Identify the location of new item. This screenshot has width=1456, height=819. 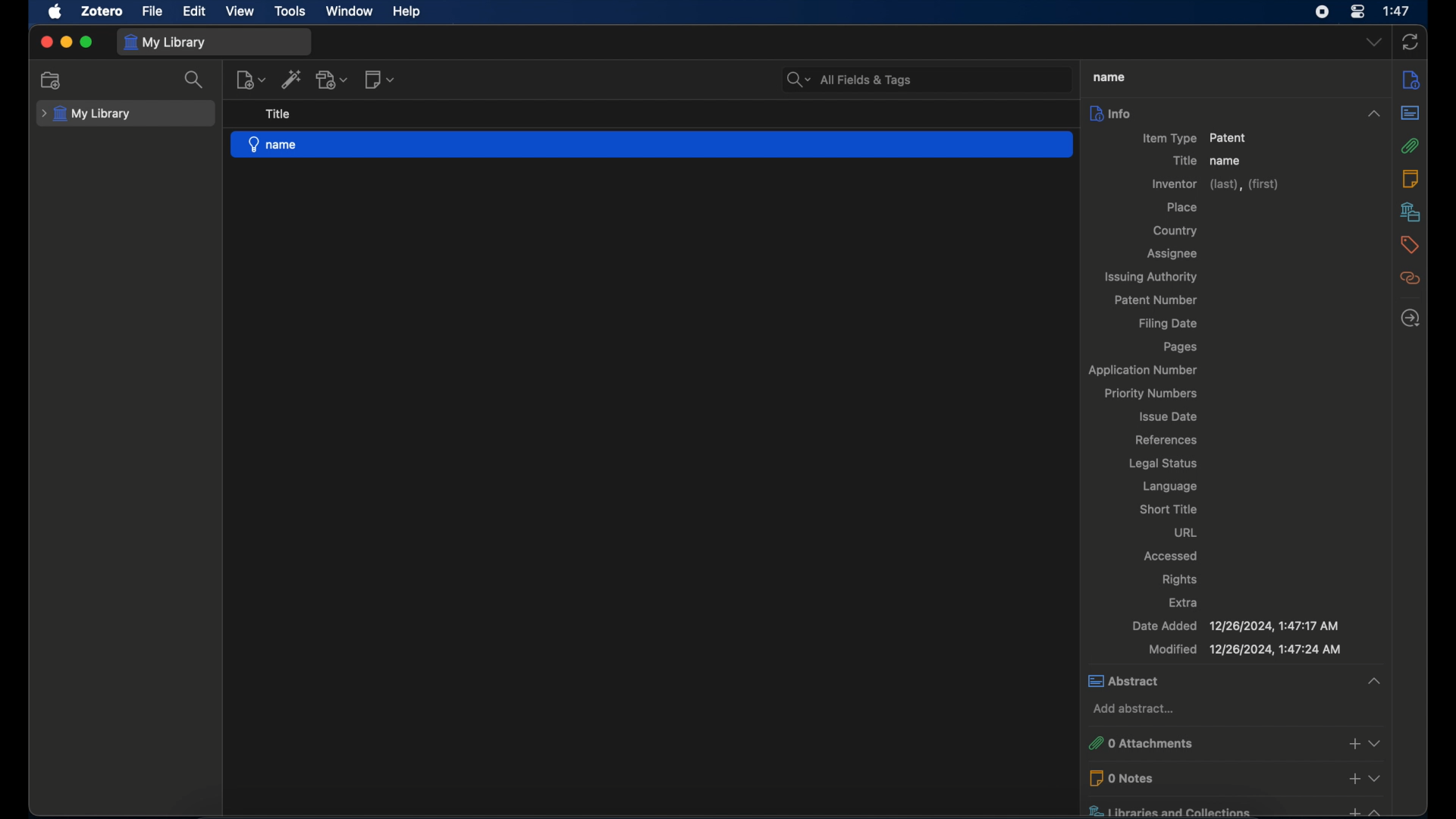
(250, 79).